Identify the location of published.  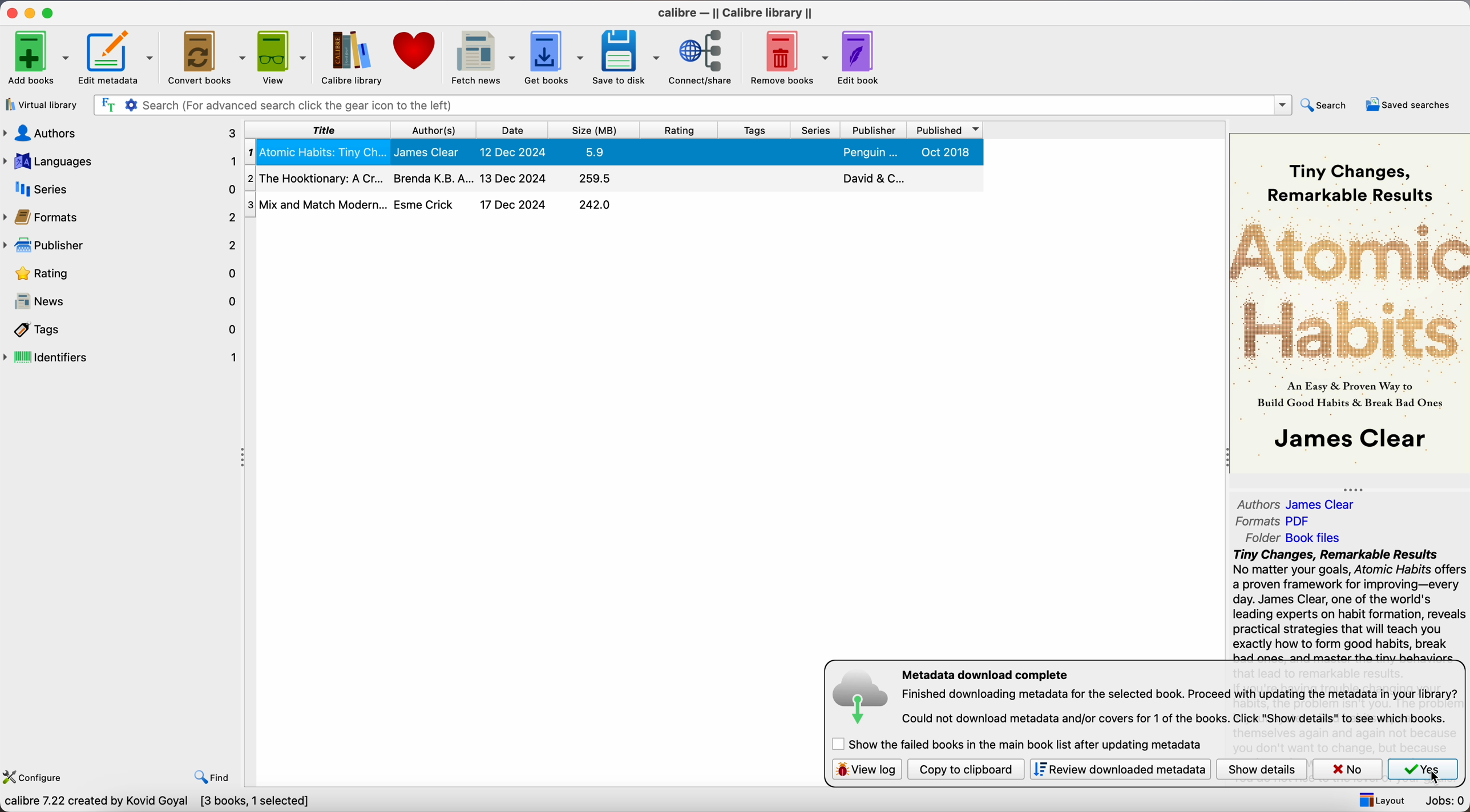
(943, 130).